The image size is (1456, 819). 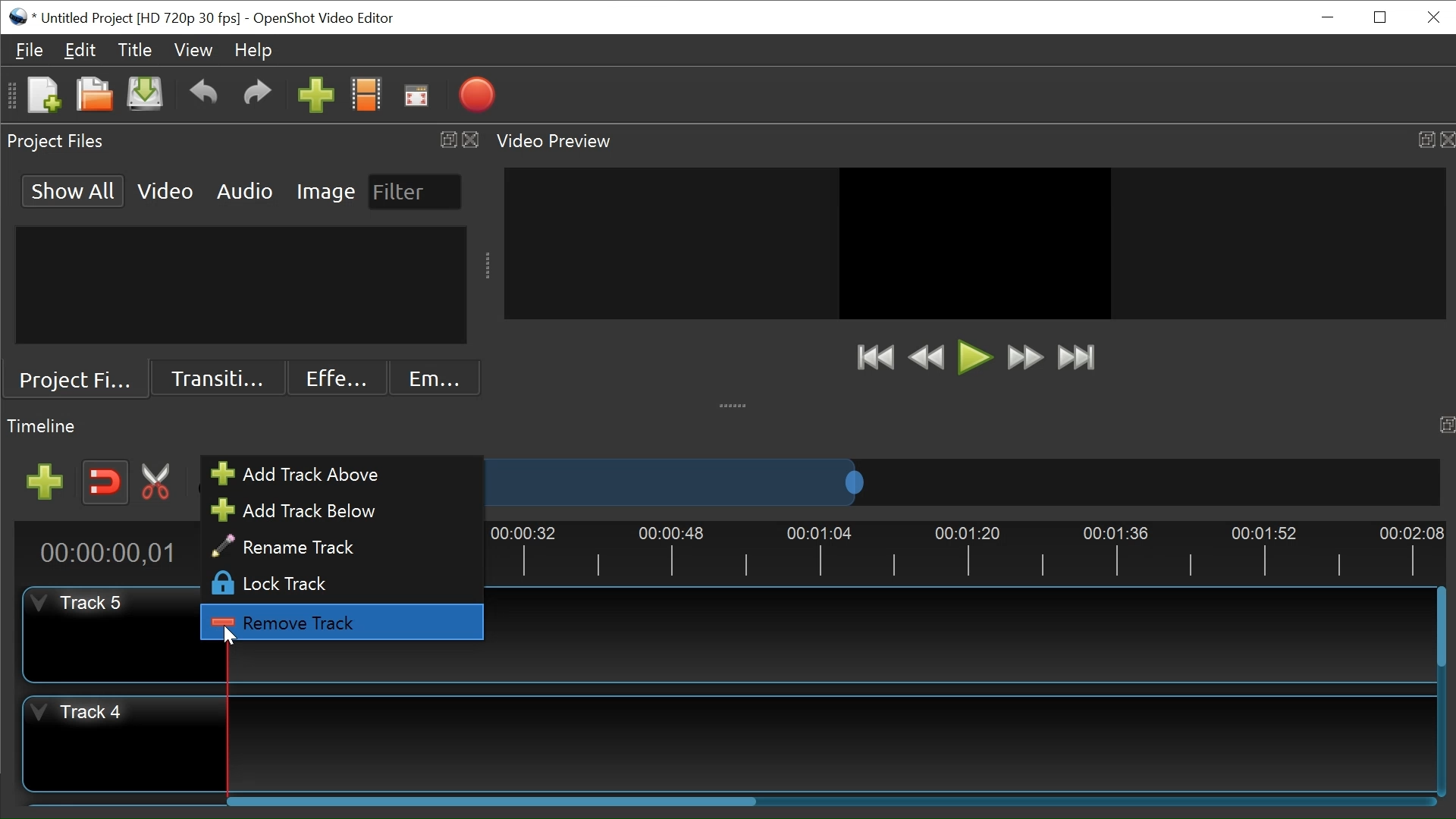 I want to click on Edit, so click(x=80, y=49).